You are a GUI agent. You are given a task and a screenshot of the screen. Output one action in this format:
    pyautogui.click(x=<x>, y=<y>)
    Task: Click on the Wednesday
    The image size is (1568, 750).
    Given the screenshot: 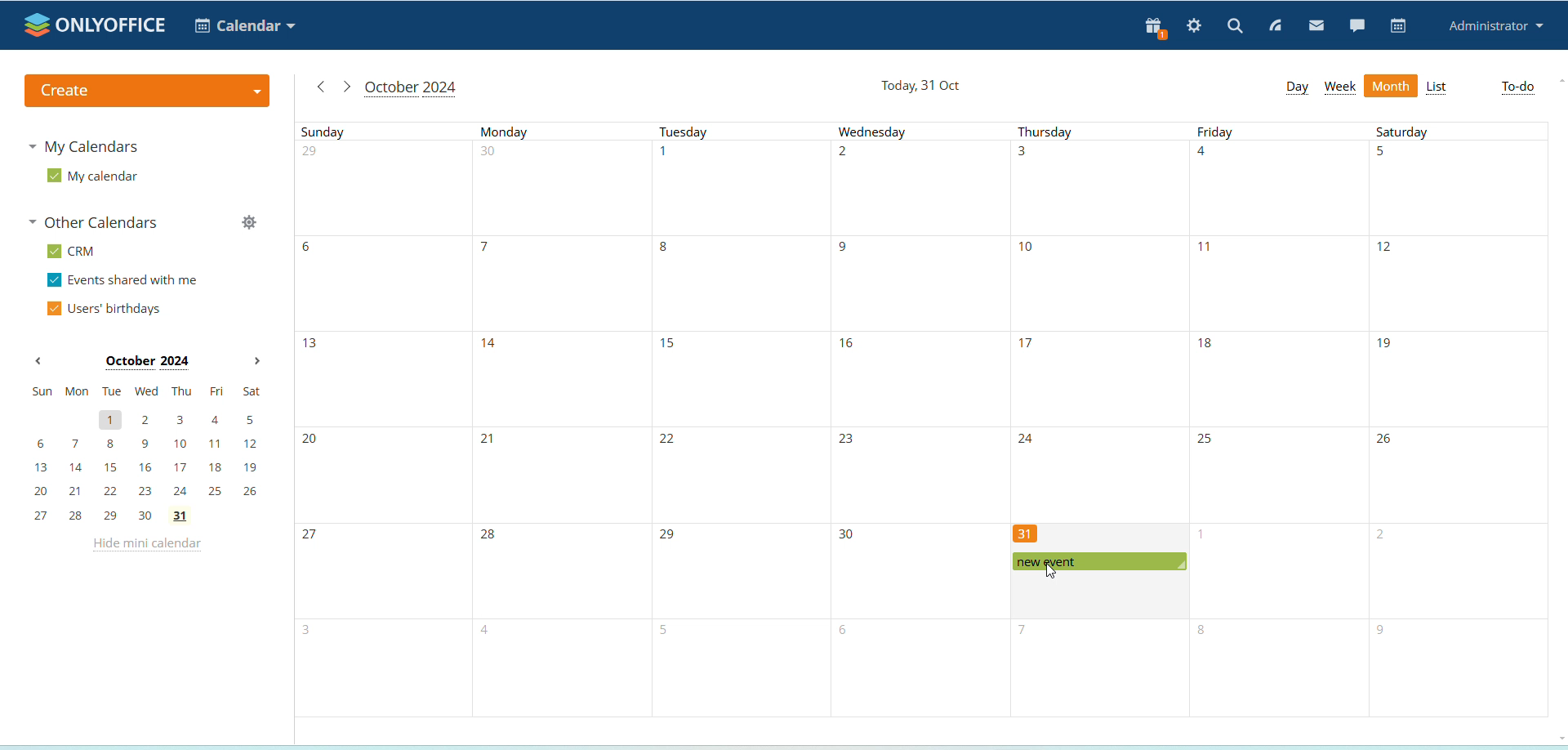 What is the action you would take?
    pyautogui.click(x=916, y=419)
    